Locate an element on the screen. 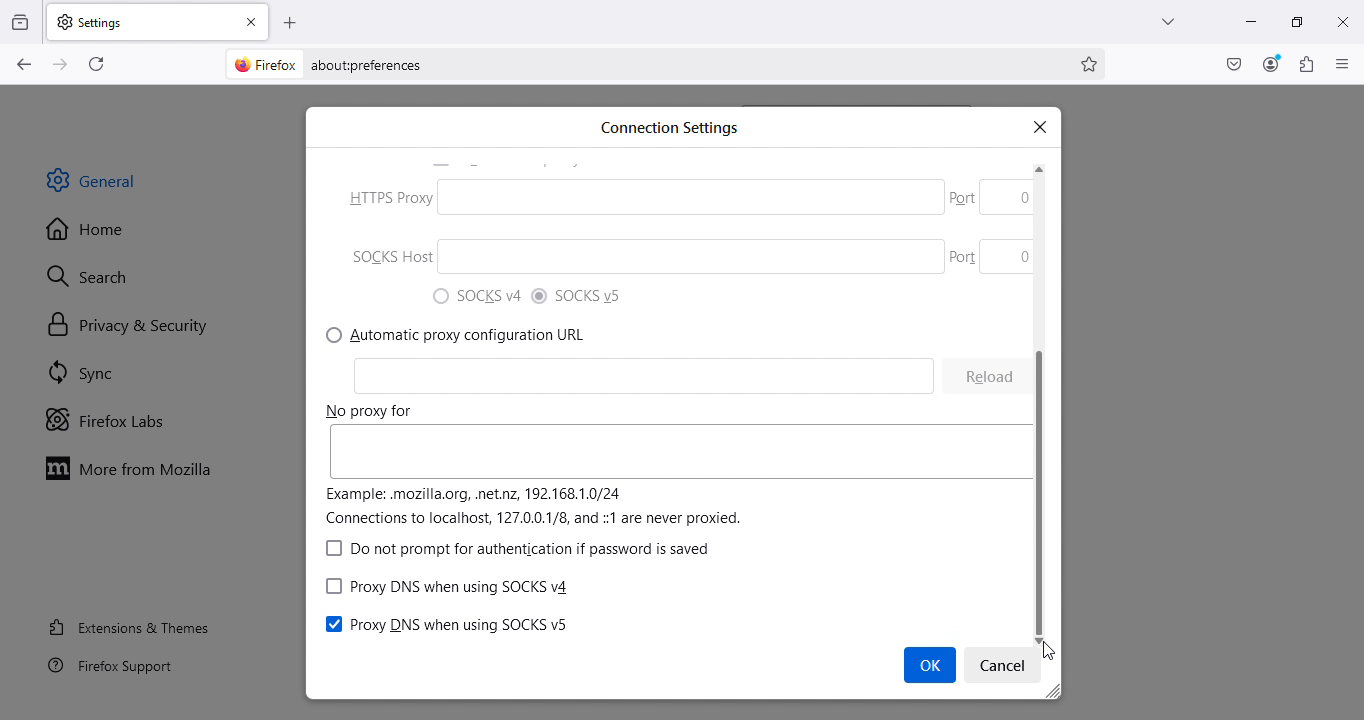  Close tab is located at coordinates (255, 21).